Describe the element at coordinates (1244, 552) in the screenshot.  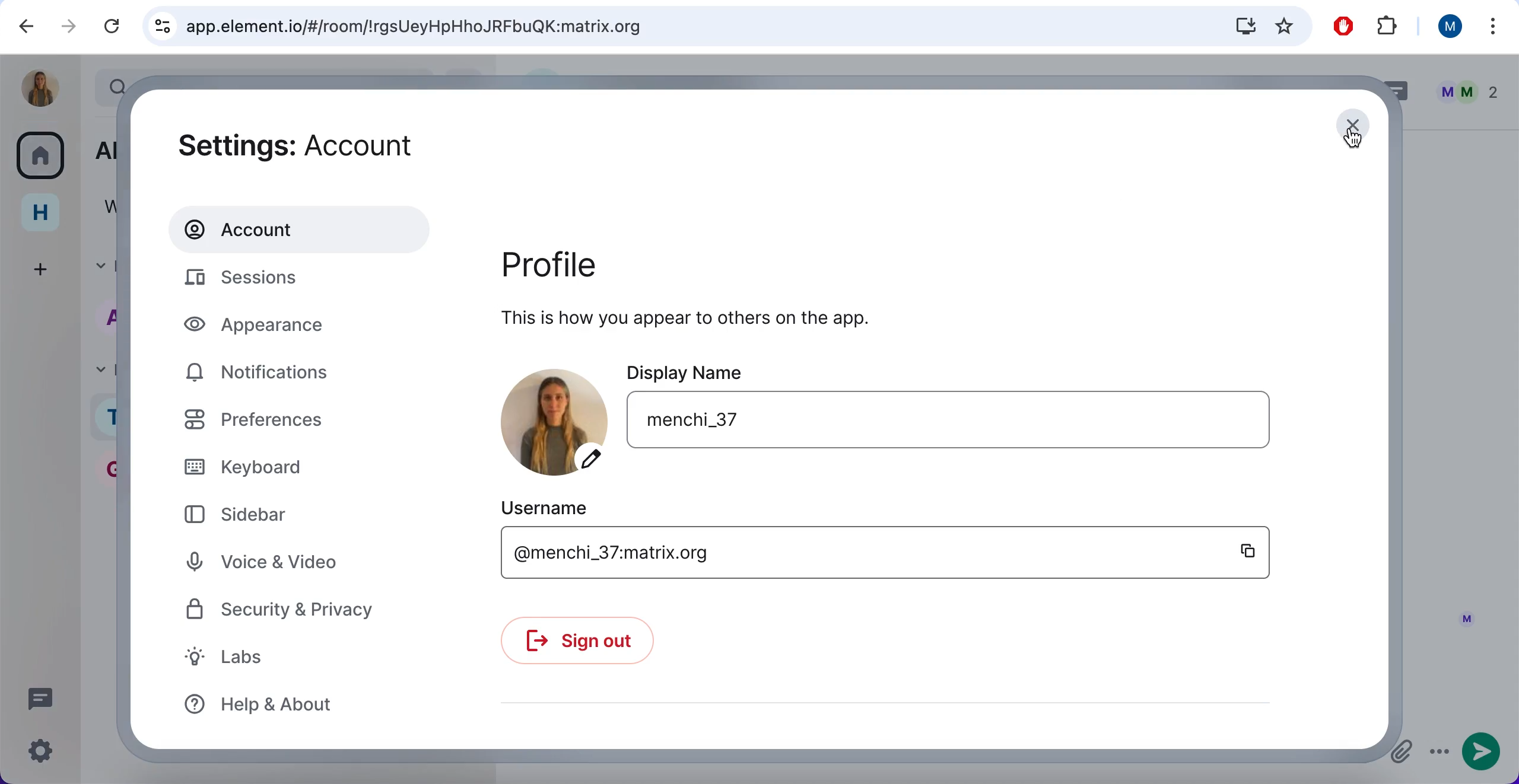
I see `copy` at that location.